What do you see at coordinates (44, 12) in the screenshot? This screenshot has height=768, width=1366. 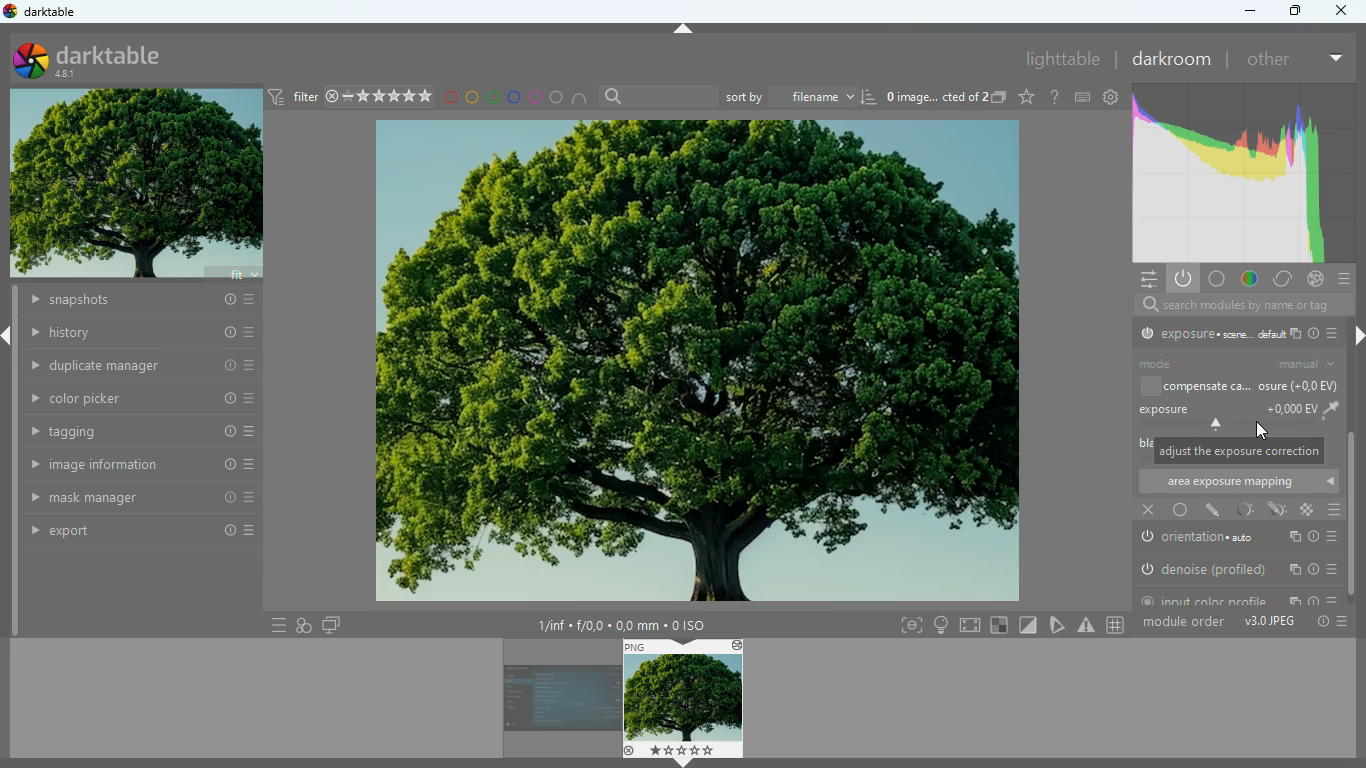 I see `darktable` at bounding box center [44, 12].